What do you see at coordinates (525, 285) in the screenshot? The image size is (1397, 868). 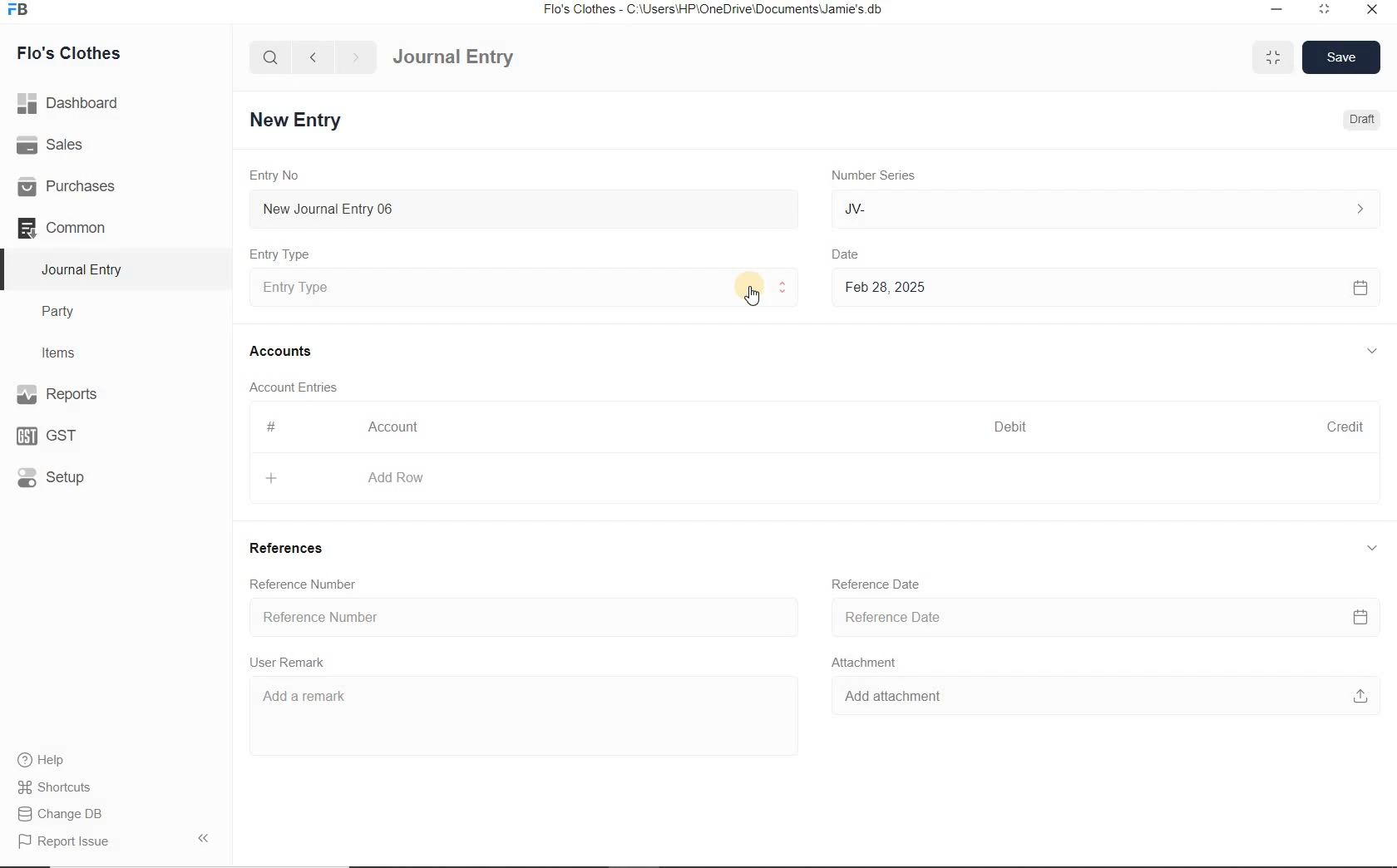 I see `Entry Type` at bounding box center [525, 285].